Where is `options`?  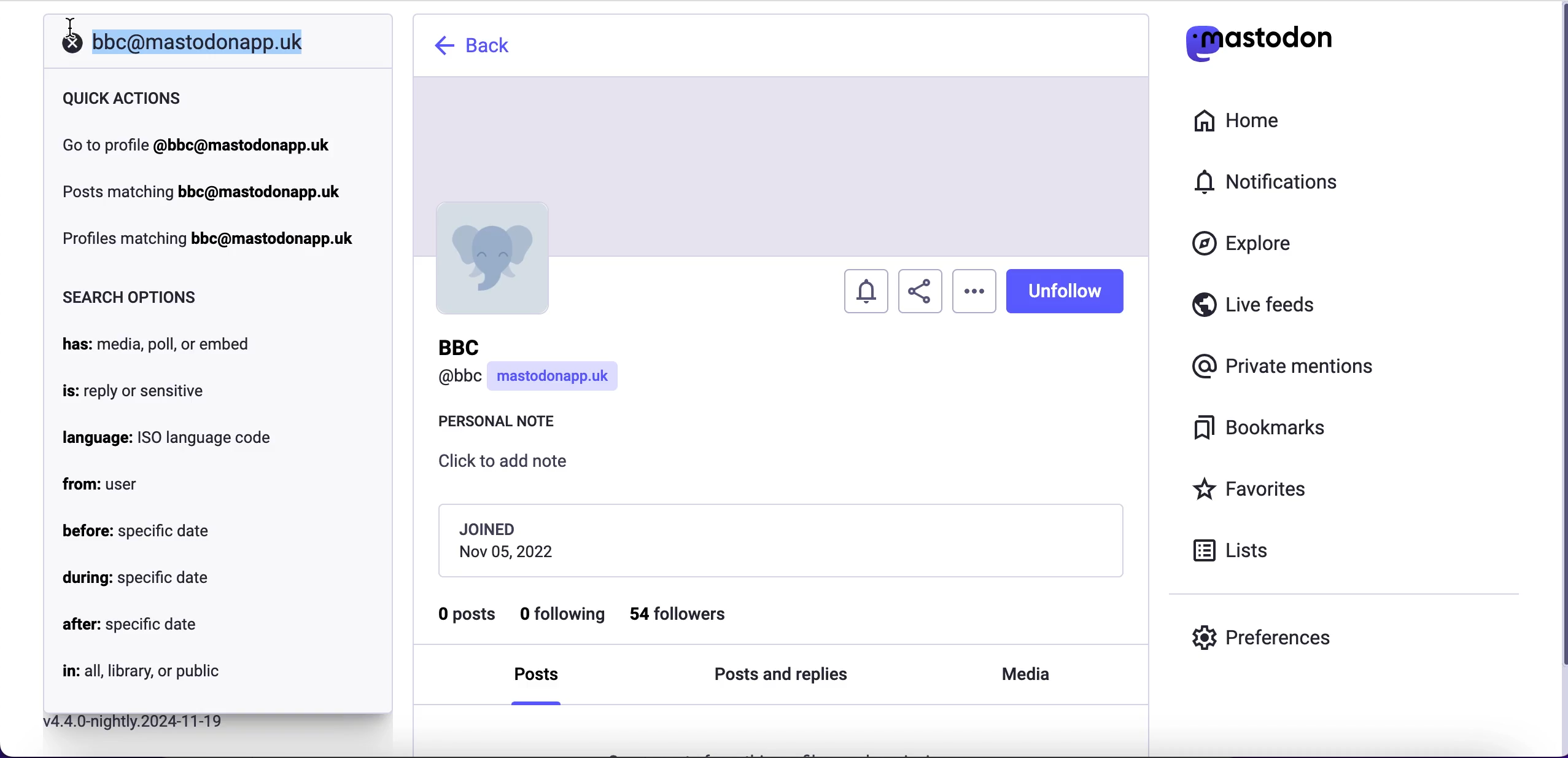 options is located at coordinates (974, 291).